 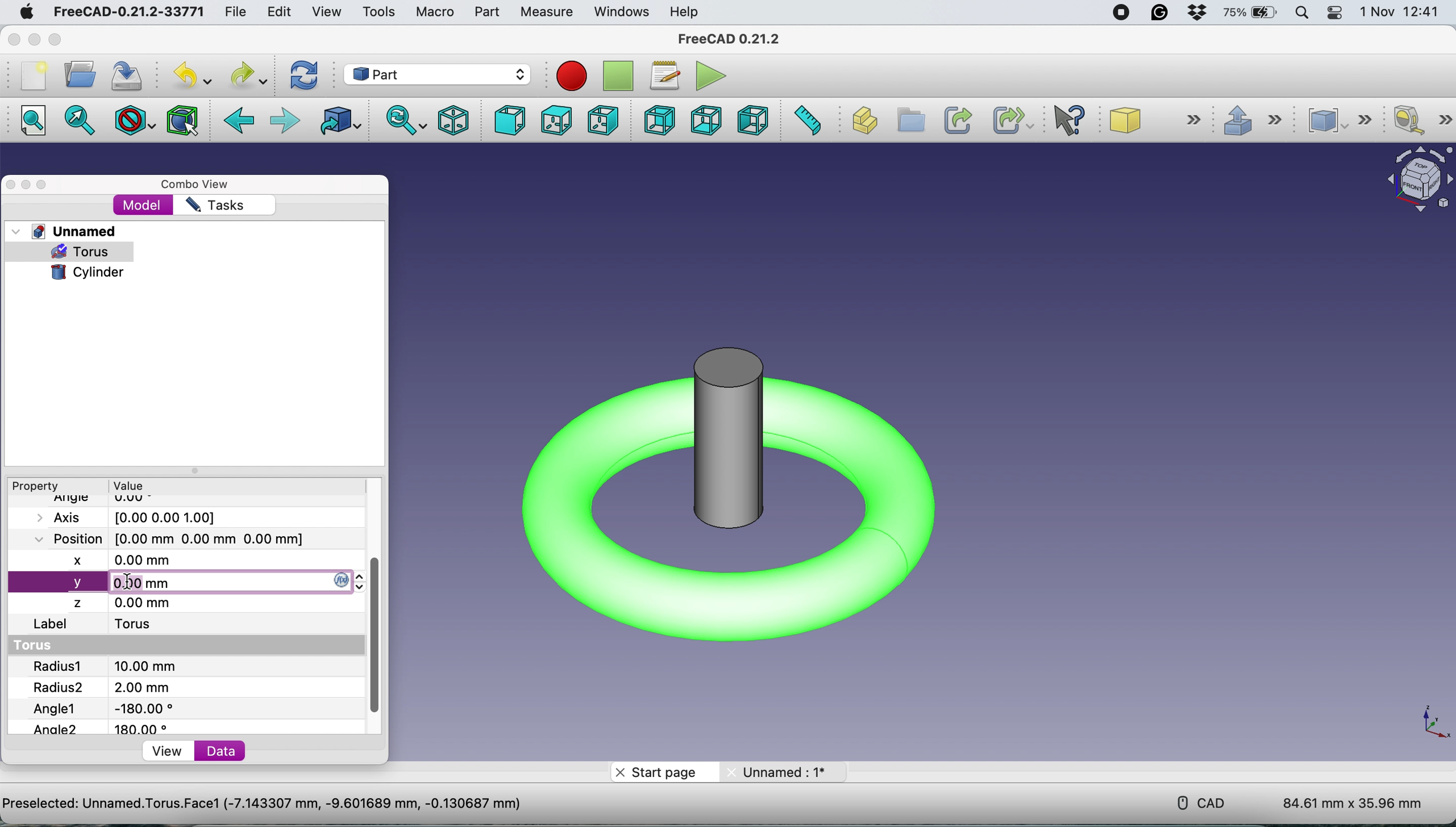 I want to click on sync view, so click(x=406, y=122).